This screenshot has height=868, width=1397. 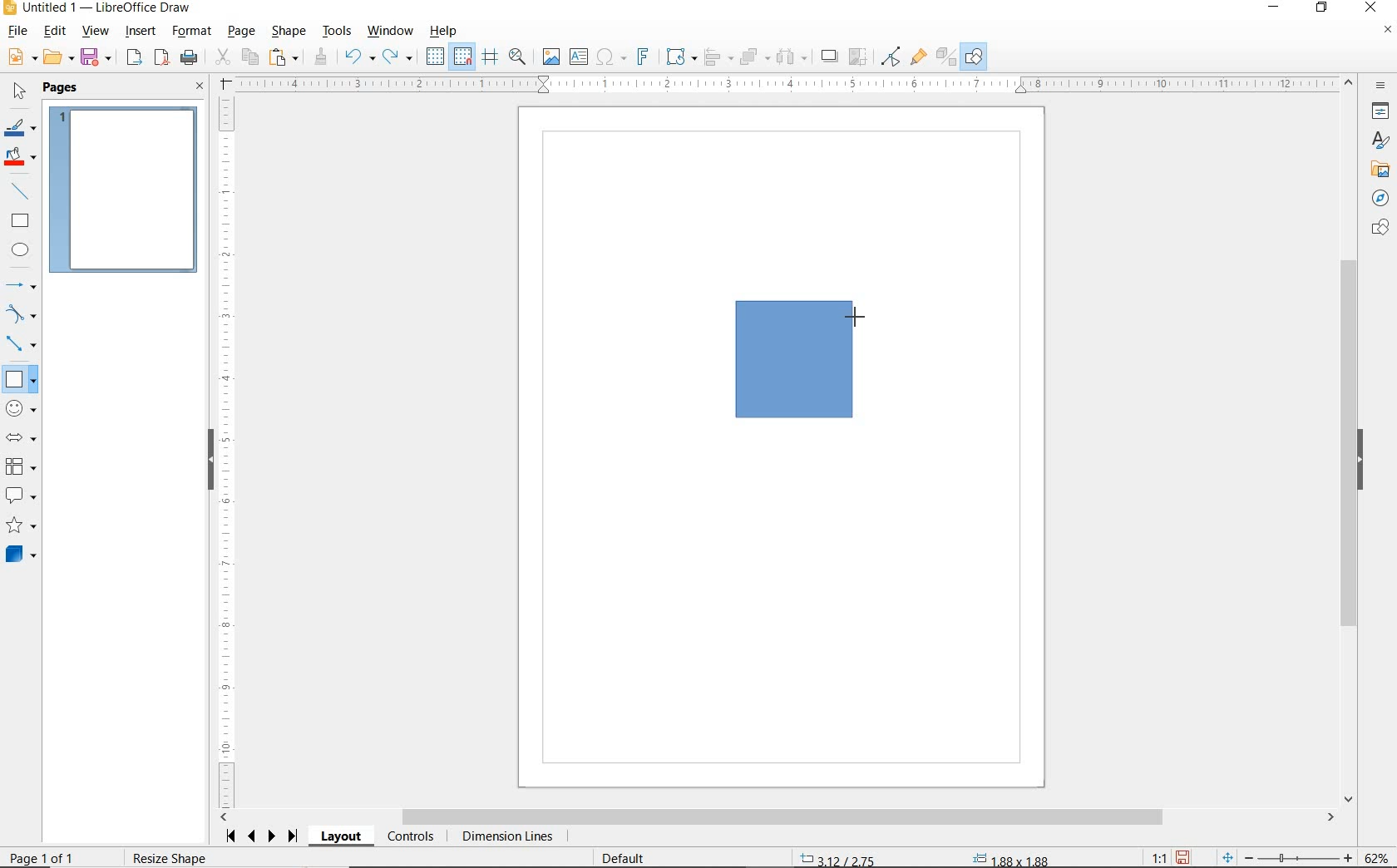 I want to click on SAVE, so click(x=1182, y=857).